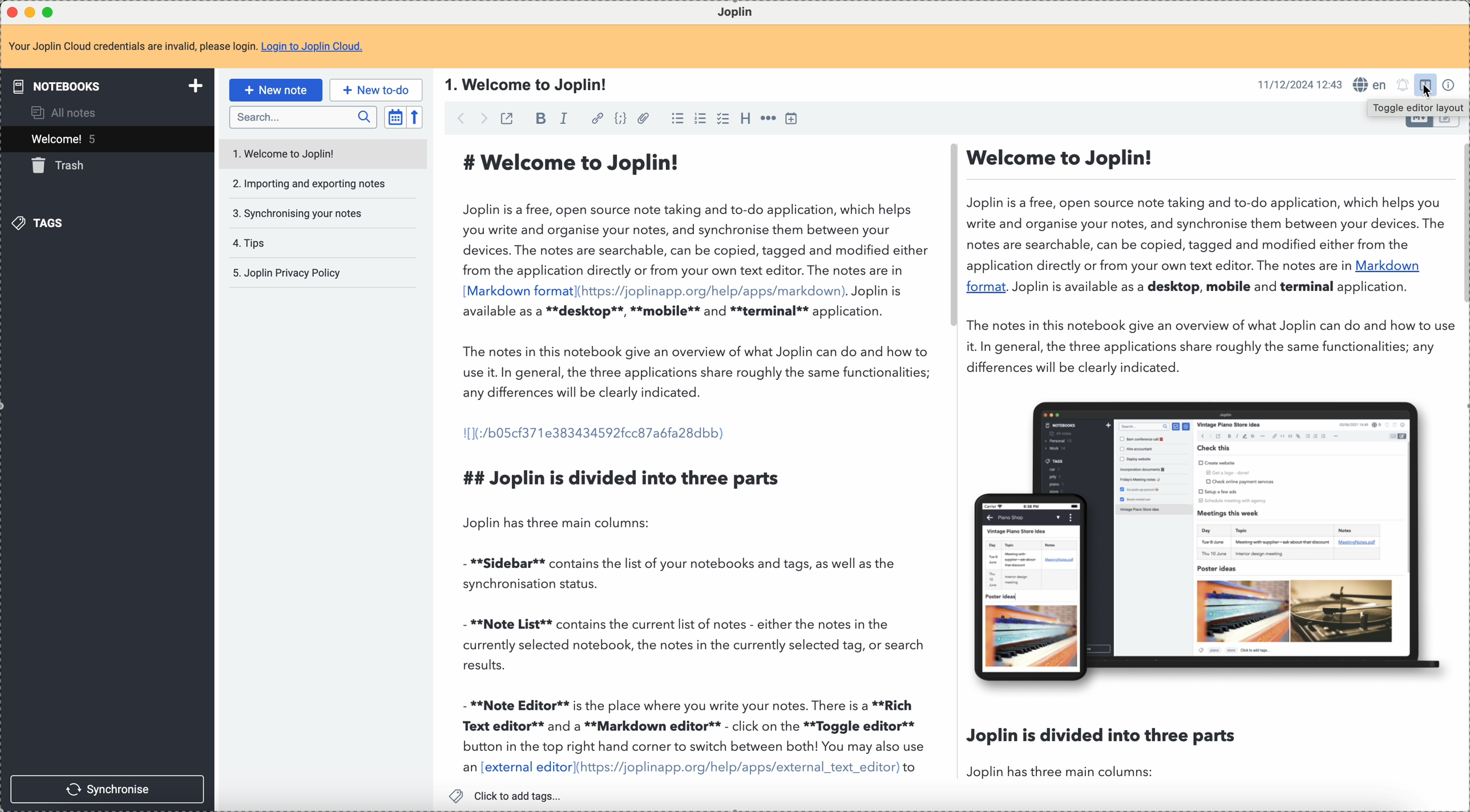 Image resolution: width=1470 pixels, height=812 pixels. I want to click on welcome, so click(105, 139).